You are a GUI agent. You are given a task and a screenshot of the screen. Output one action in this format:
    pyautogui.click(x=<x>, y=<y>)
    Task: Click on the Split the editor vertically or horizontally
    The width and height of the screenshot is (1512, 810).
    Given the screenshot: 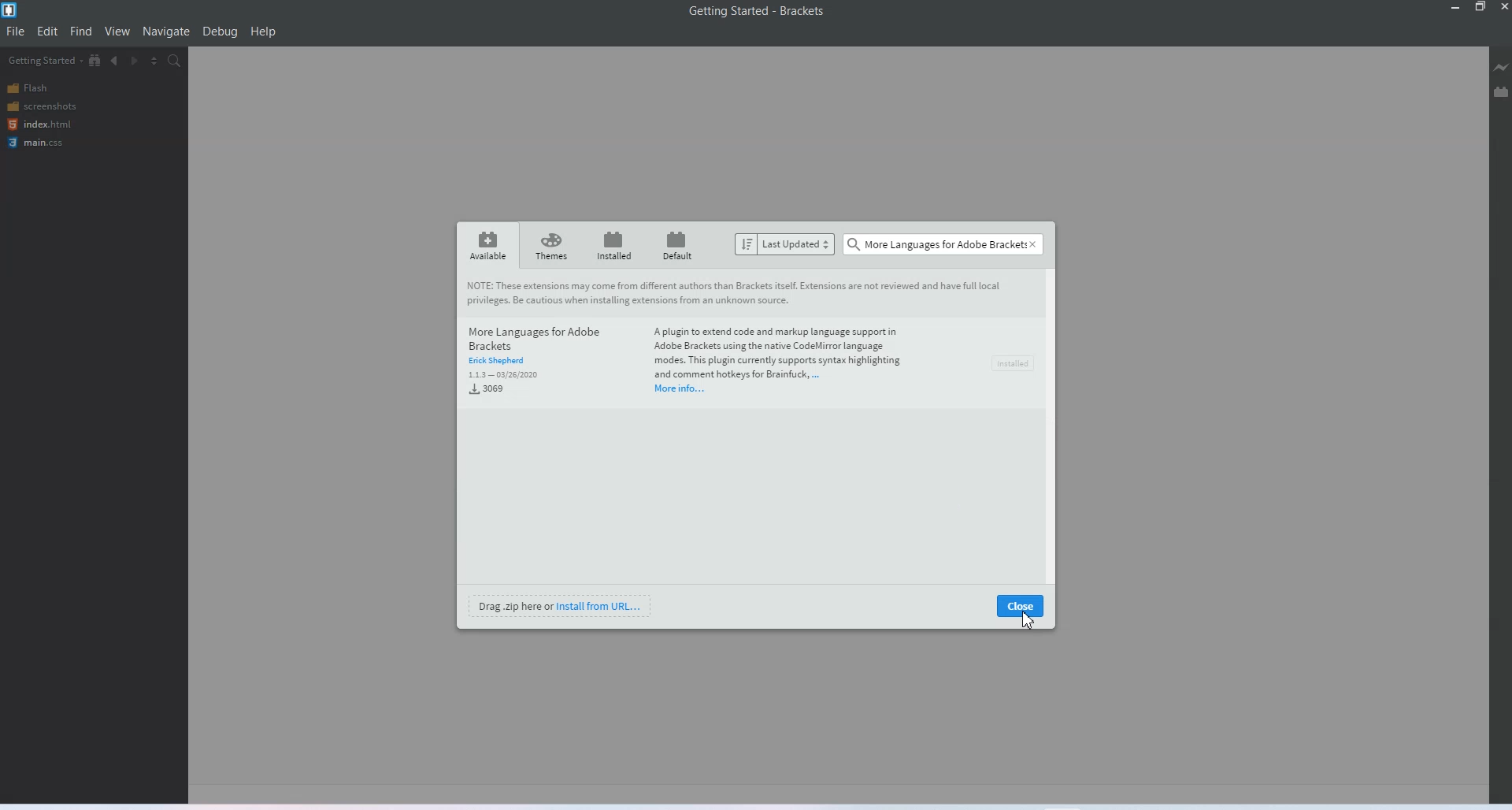 What is the action you would take?
    pyautogui.click(x=154, y=61)
    